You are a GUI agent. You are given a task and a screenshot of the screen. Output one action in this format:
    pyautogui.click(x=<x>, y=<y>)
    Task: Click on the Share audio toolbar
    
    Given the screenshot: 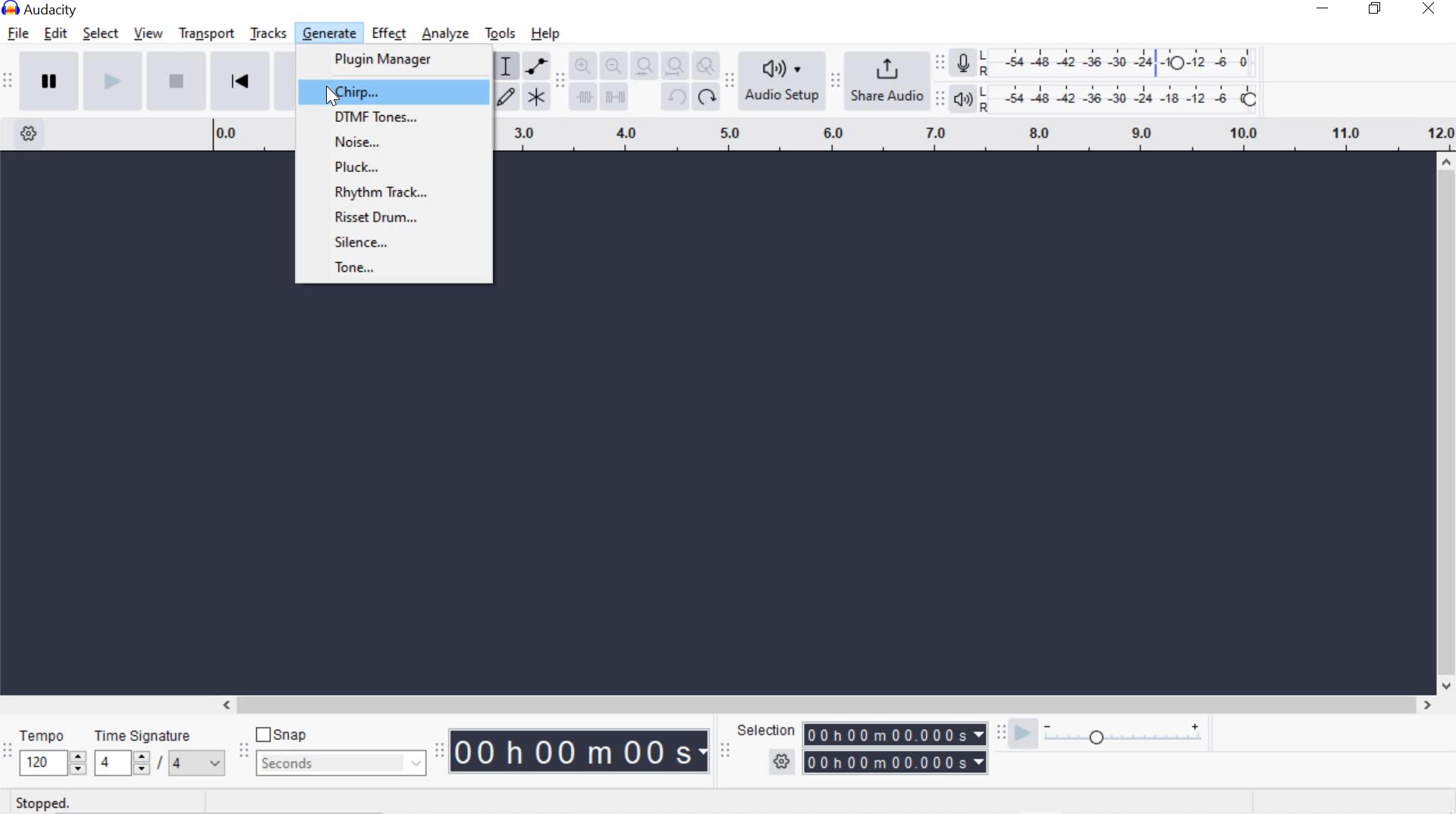 What is the action you would take?
    pyautogui.click(x=833, y=80)
    